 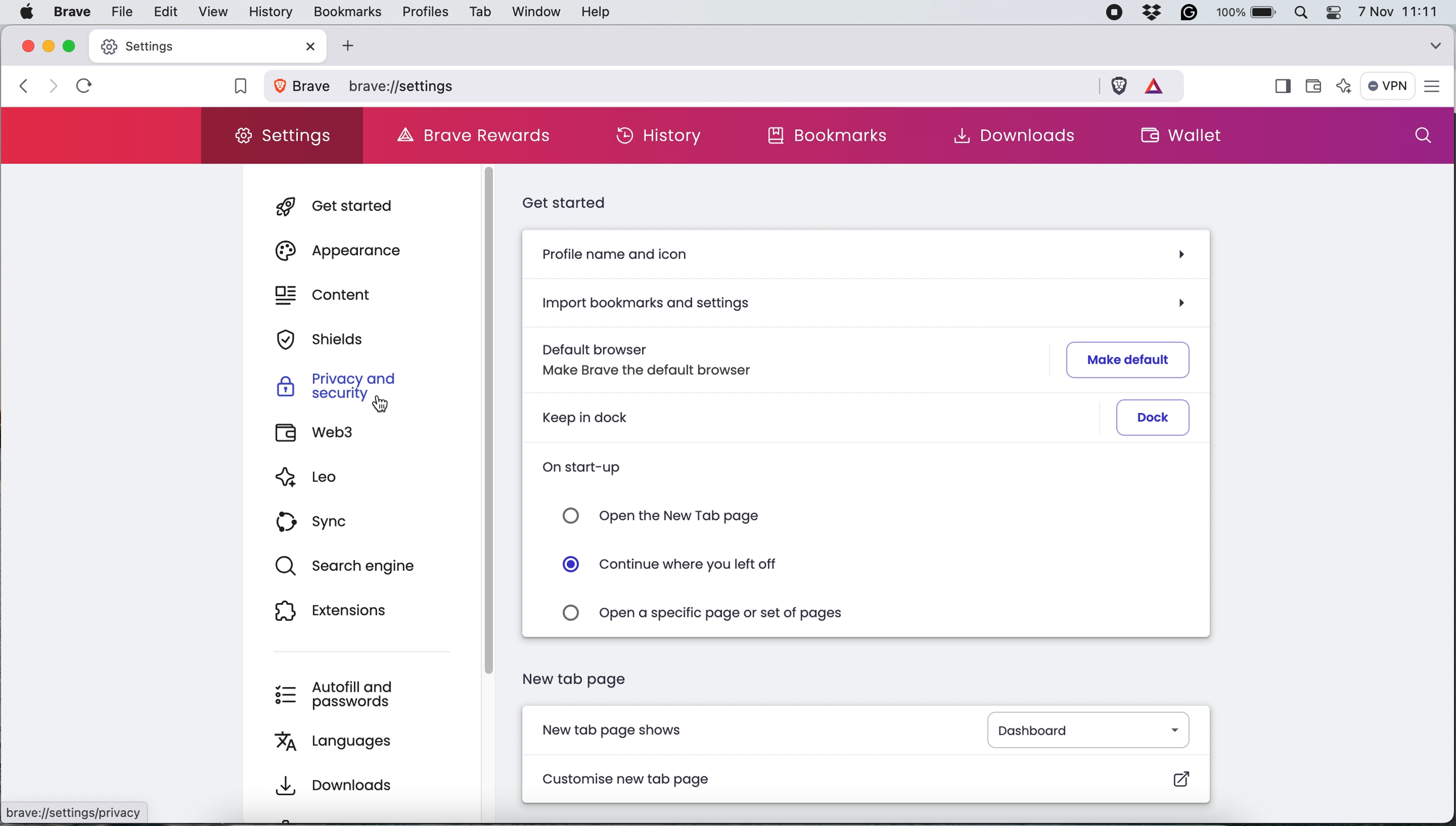 What do you see at coordinates (336, 385) in the screenshot?
I see `privacy and security` at bounding box center [336, 385].